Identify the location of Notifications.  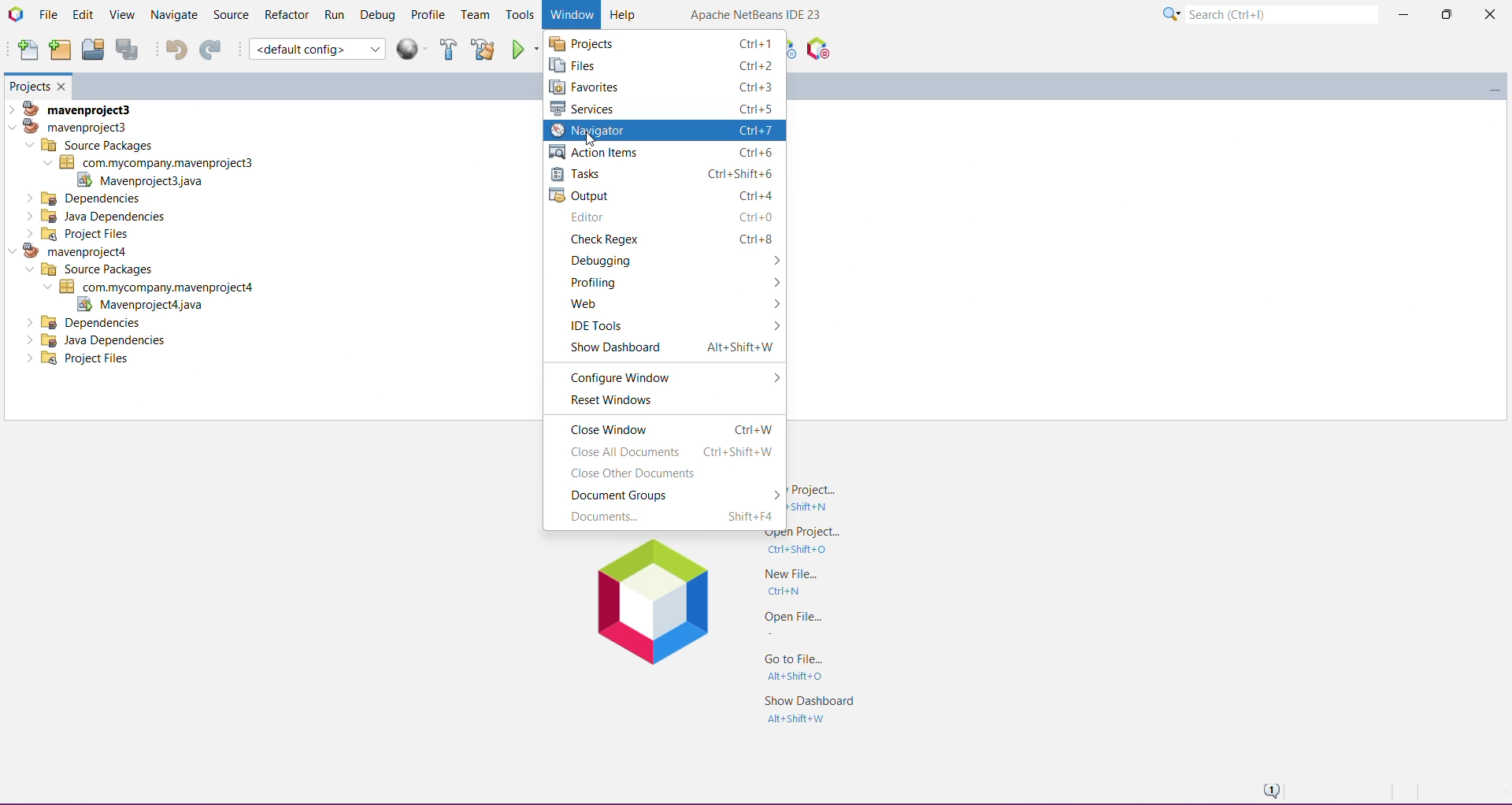
(1269, 789).